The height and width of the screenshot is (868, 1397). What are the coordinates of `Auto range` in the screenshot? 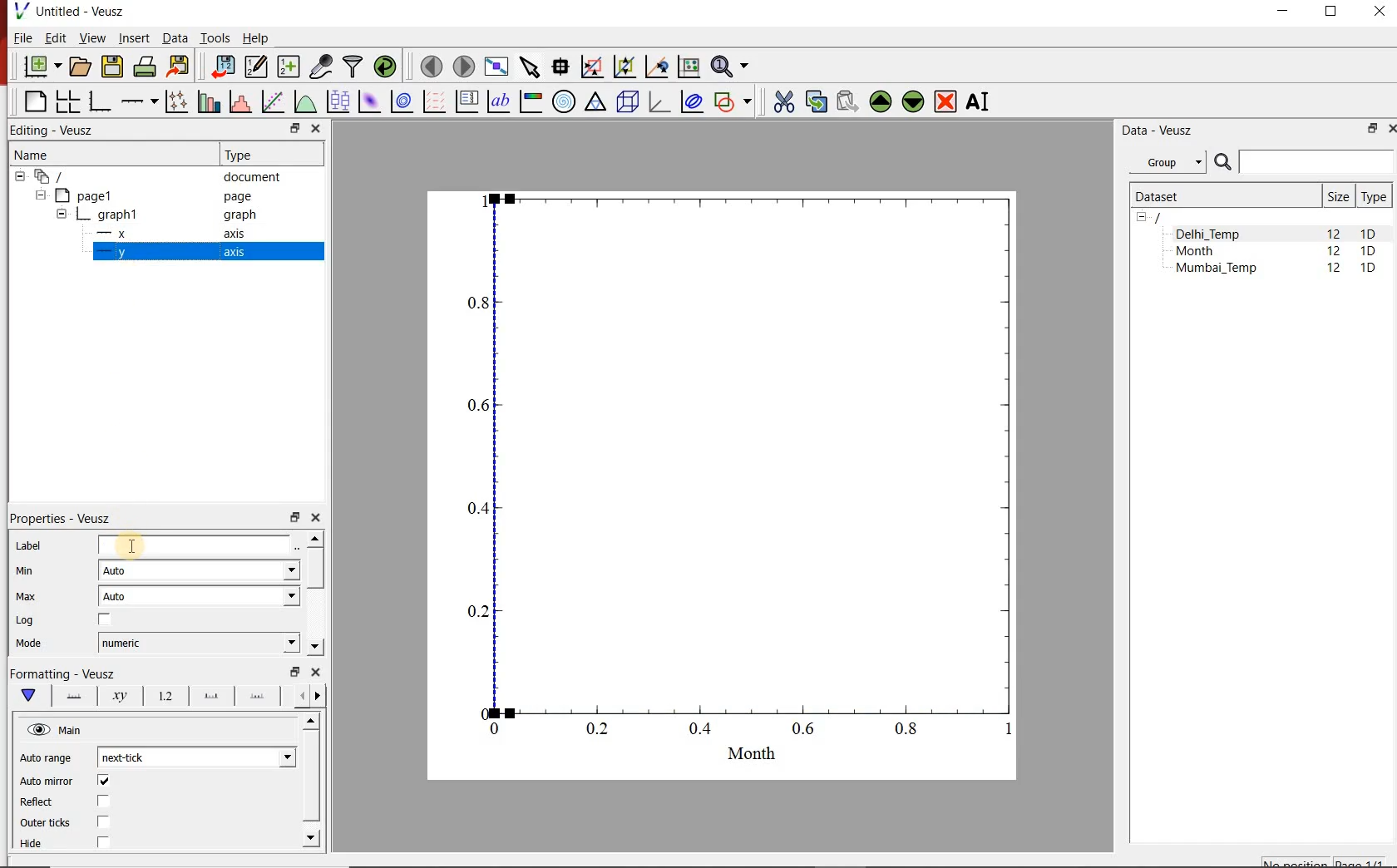 It's located at (49, 757).